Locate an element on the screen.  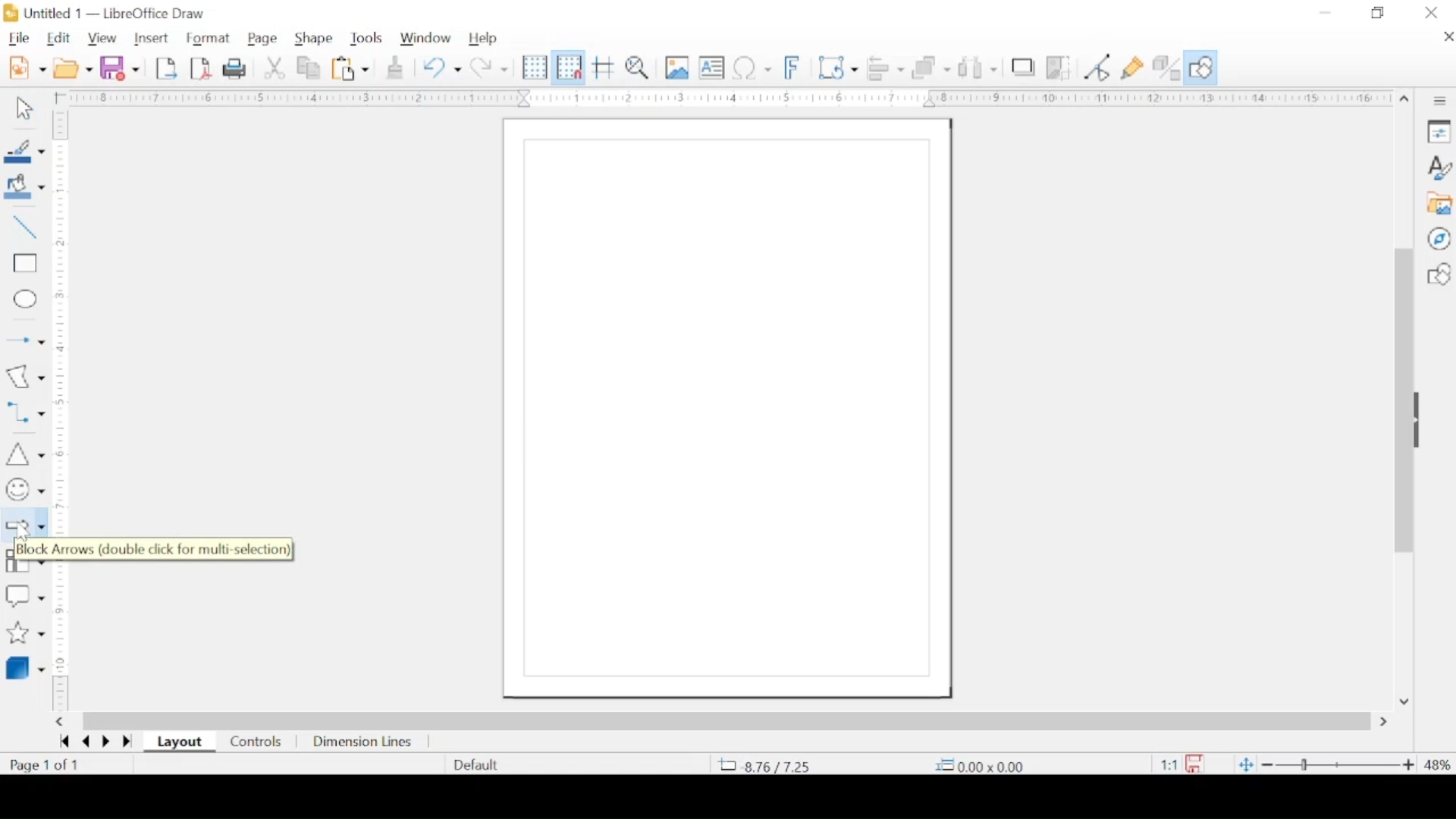
insert special characters is located at coordinates (752, 67).